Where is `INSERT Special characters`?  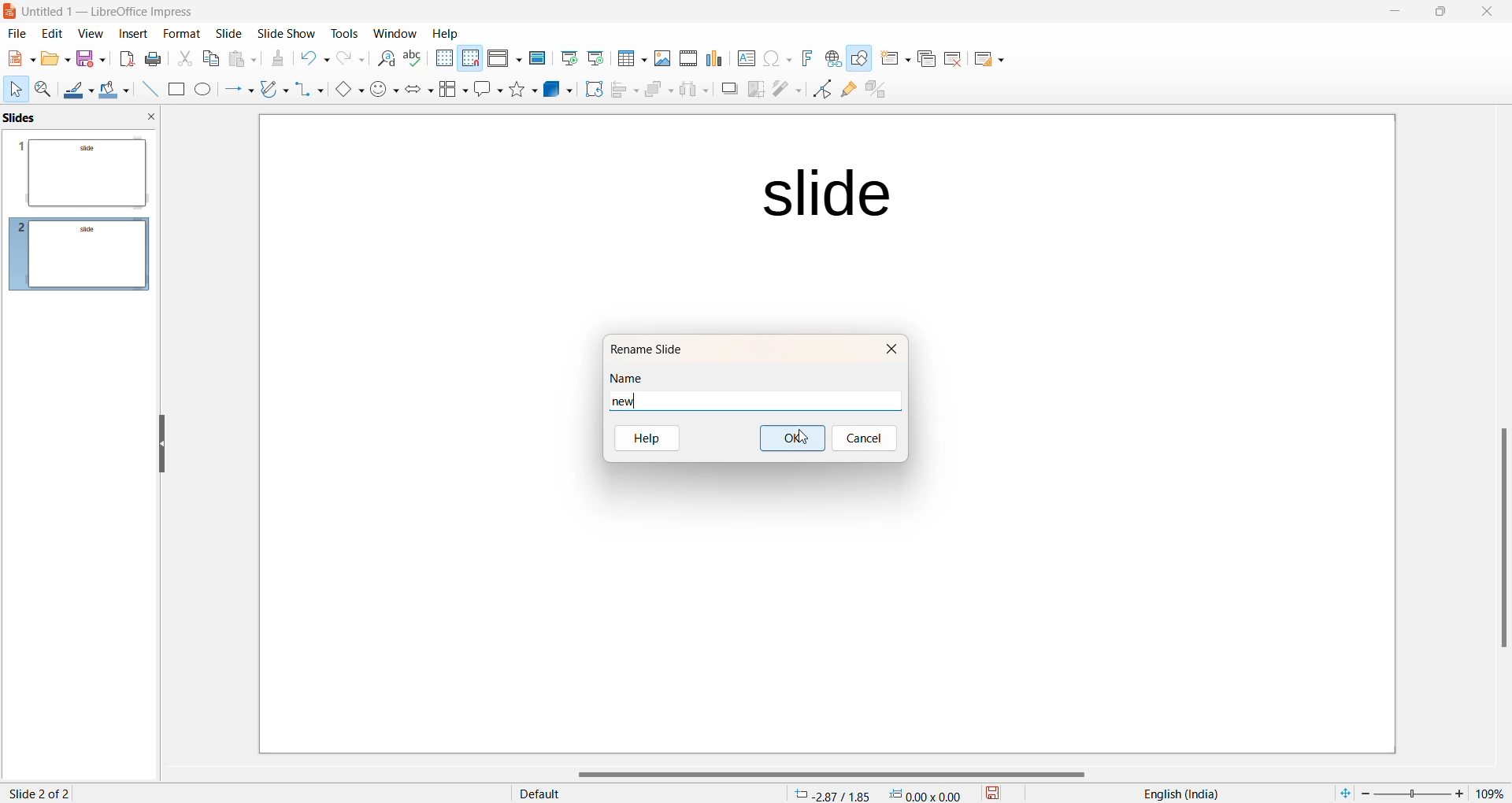
INSERT Special characters is located at coordinates (774, 58).